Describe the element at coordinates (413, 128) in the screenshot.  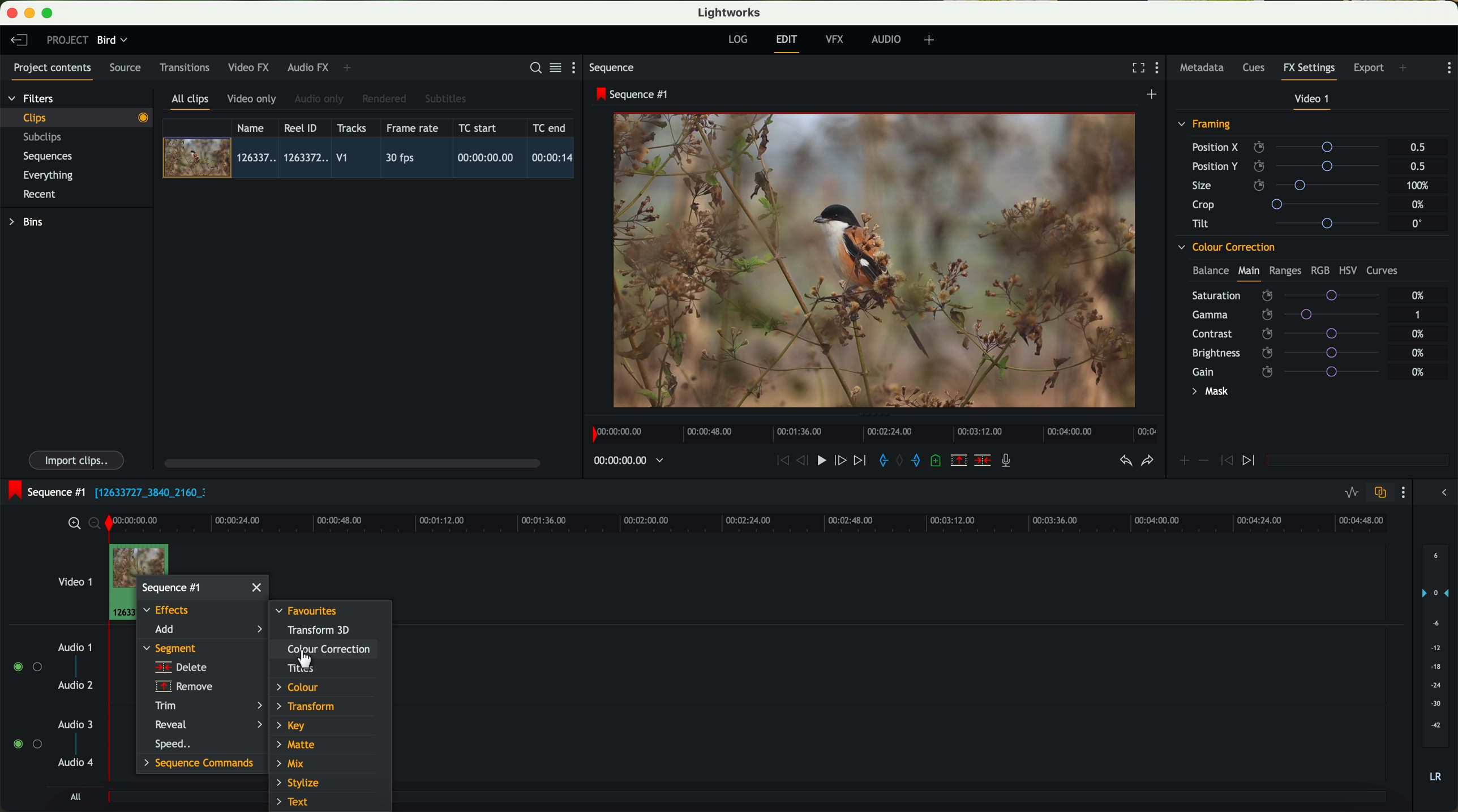
I see `frame rate` at that location.